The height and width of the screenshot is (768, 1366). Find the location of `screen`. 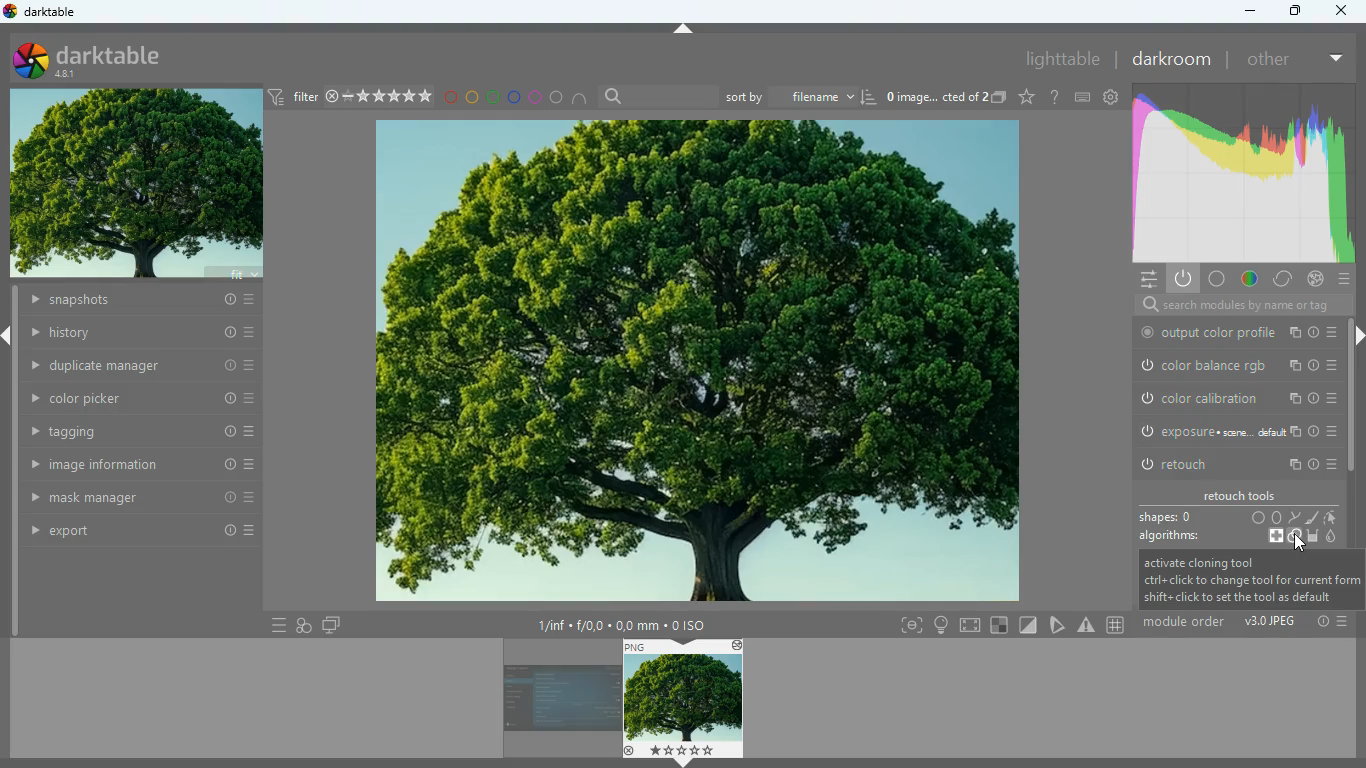

screen is located at coordinates (971, 624).